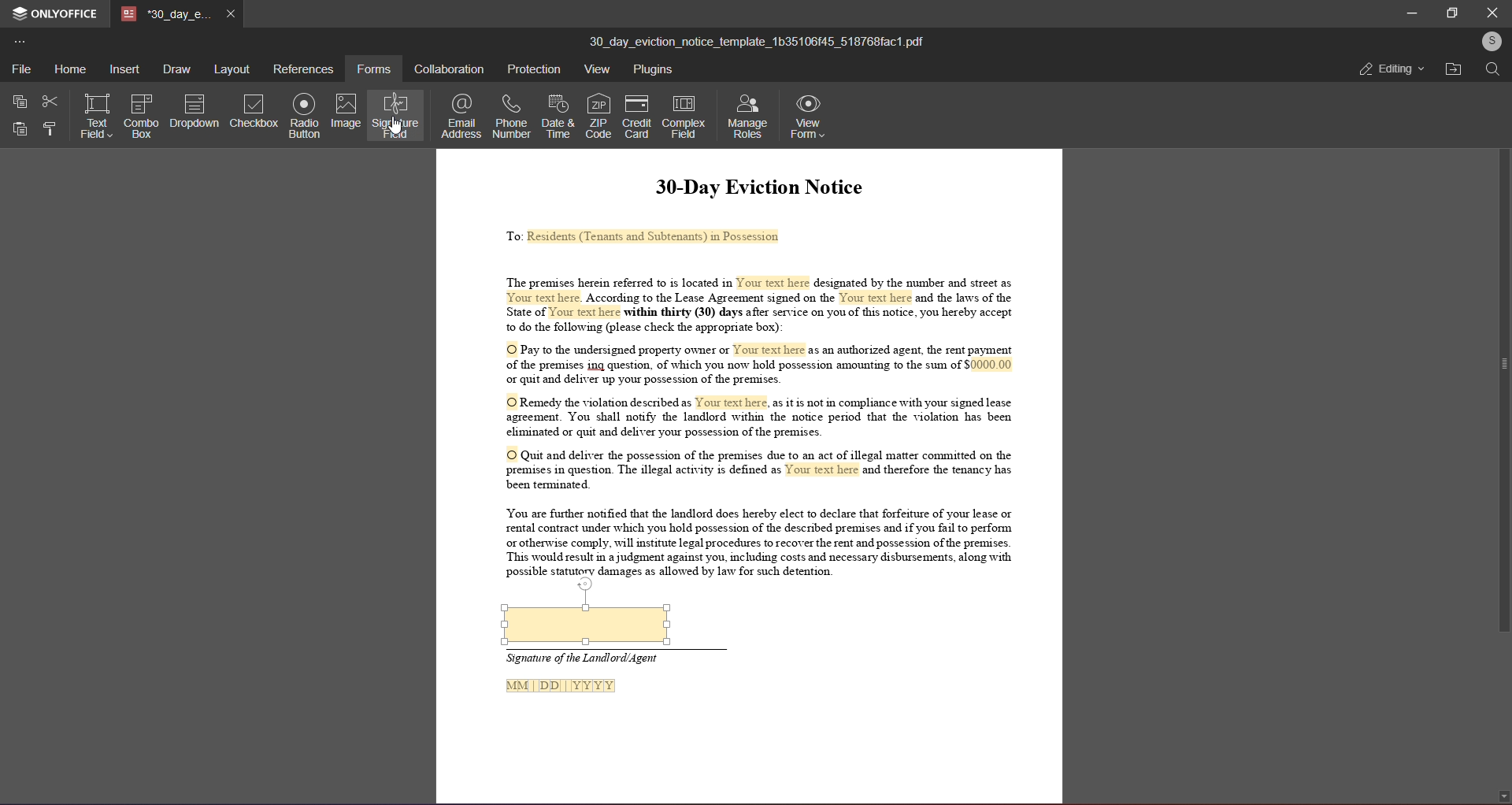 The width and height of the screenshot is (1512, 805). Describe the element at coordinates (1452, 69) in the screenshot. I see `open file location` at that location.